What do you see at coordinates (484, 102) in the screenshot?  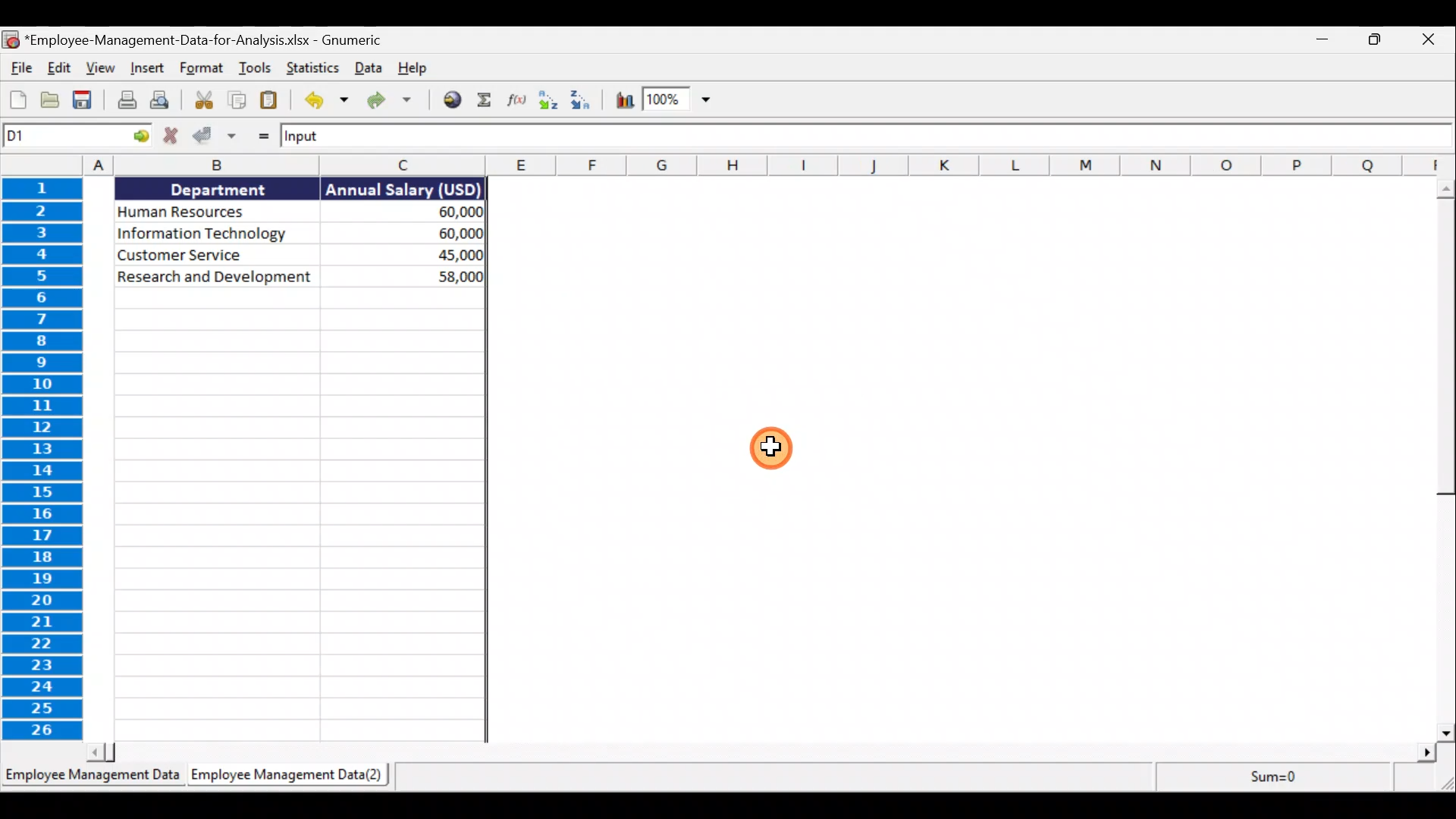 I see `Sum into the current cell` at bounding box center [484, 102].